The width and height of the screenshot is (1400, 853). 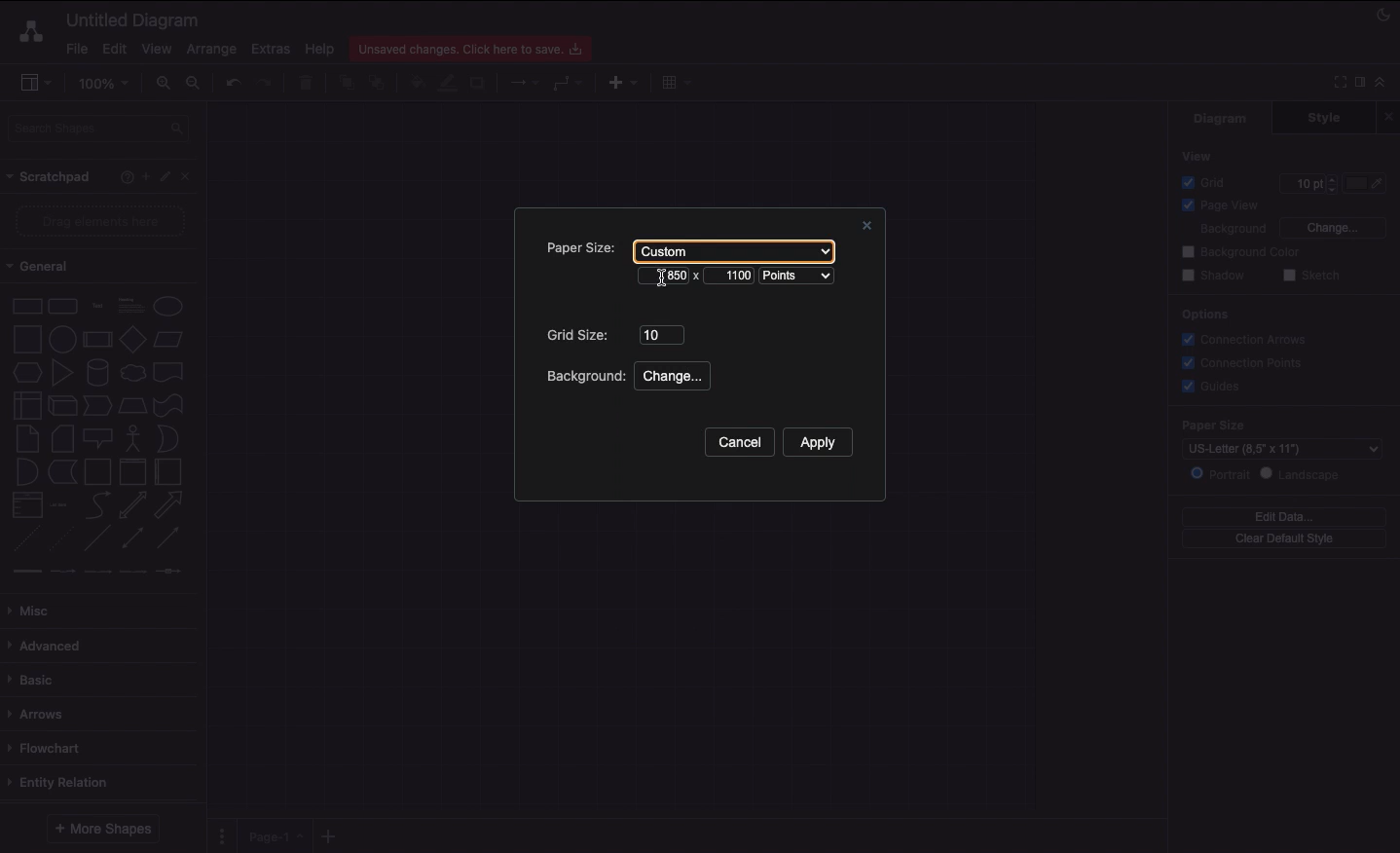 What do you see at coordinates (133, 470) in the screenshot?
I see `Vertical container` at bounding box center [133, 470].